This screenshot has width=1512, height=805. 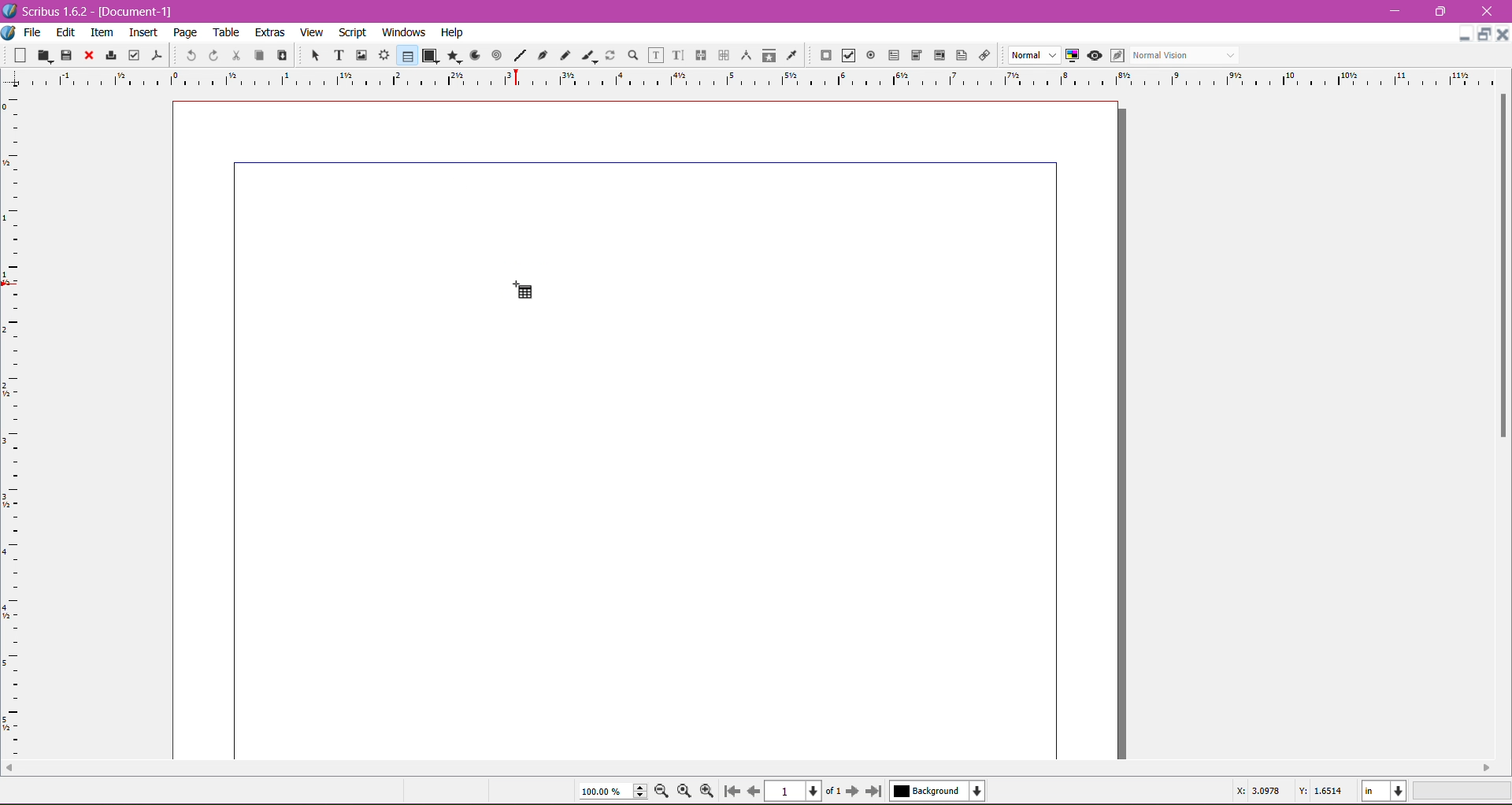 I want to click on Arc, so click(x=473, y=54).